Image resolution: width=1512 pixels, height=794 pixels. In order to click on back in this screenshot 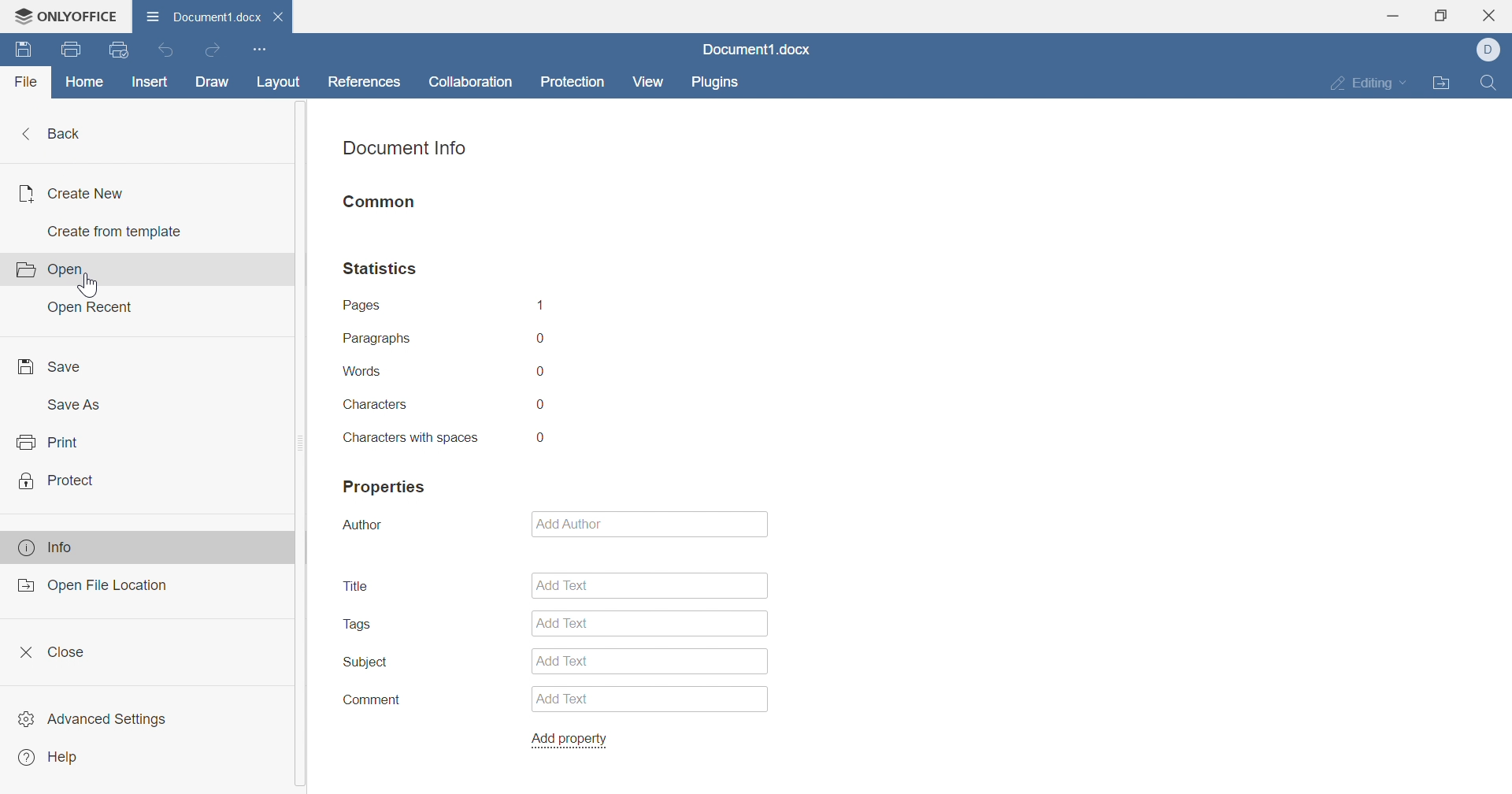, I will do `click(52, 135)`.